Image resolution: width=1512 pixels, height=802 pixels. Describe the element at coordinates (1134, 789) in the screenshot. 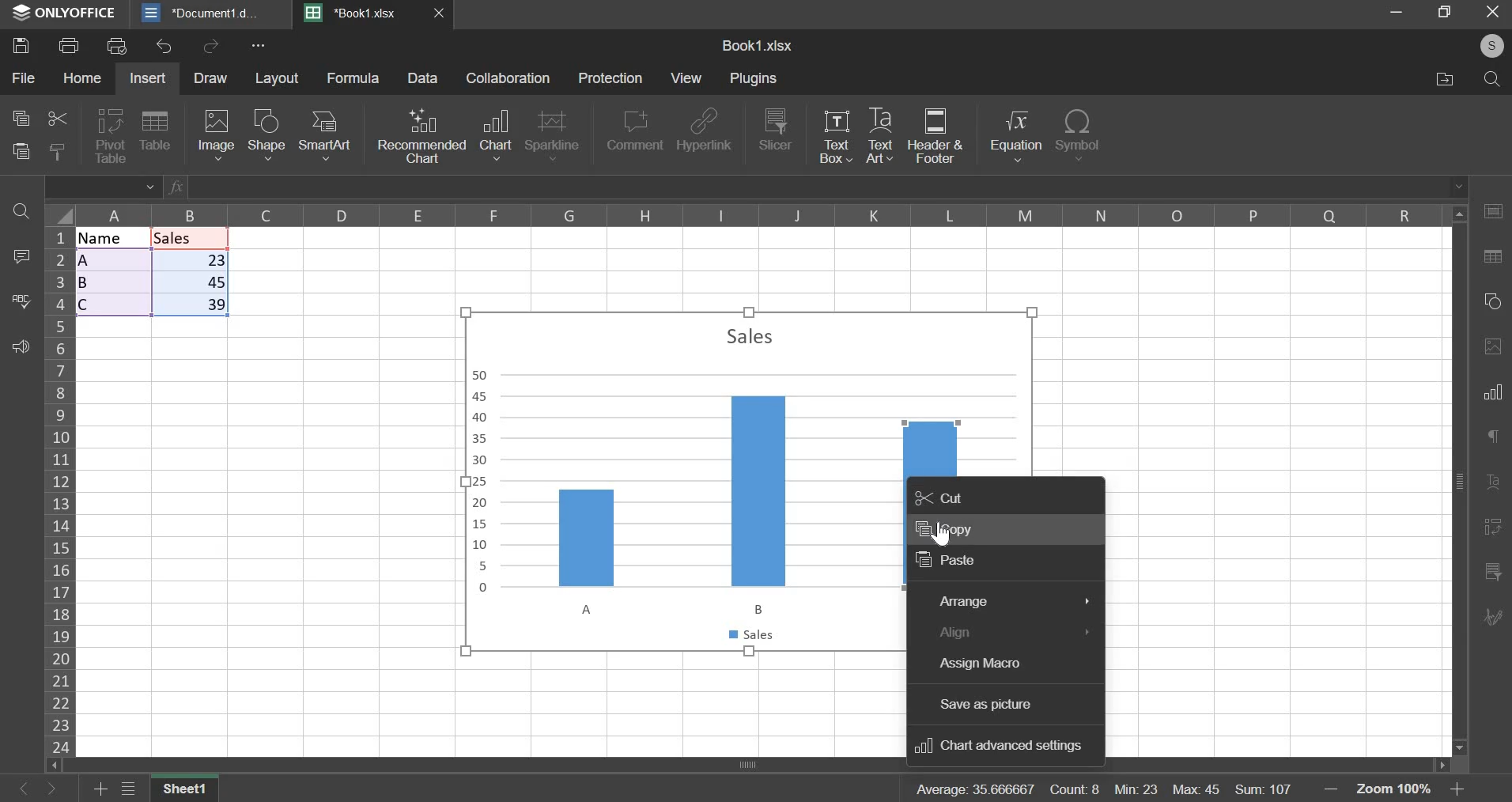

I see `min` at that location.